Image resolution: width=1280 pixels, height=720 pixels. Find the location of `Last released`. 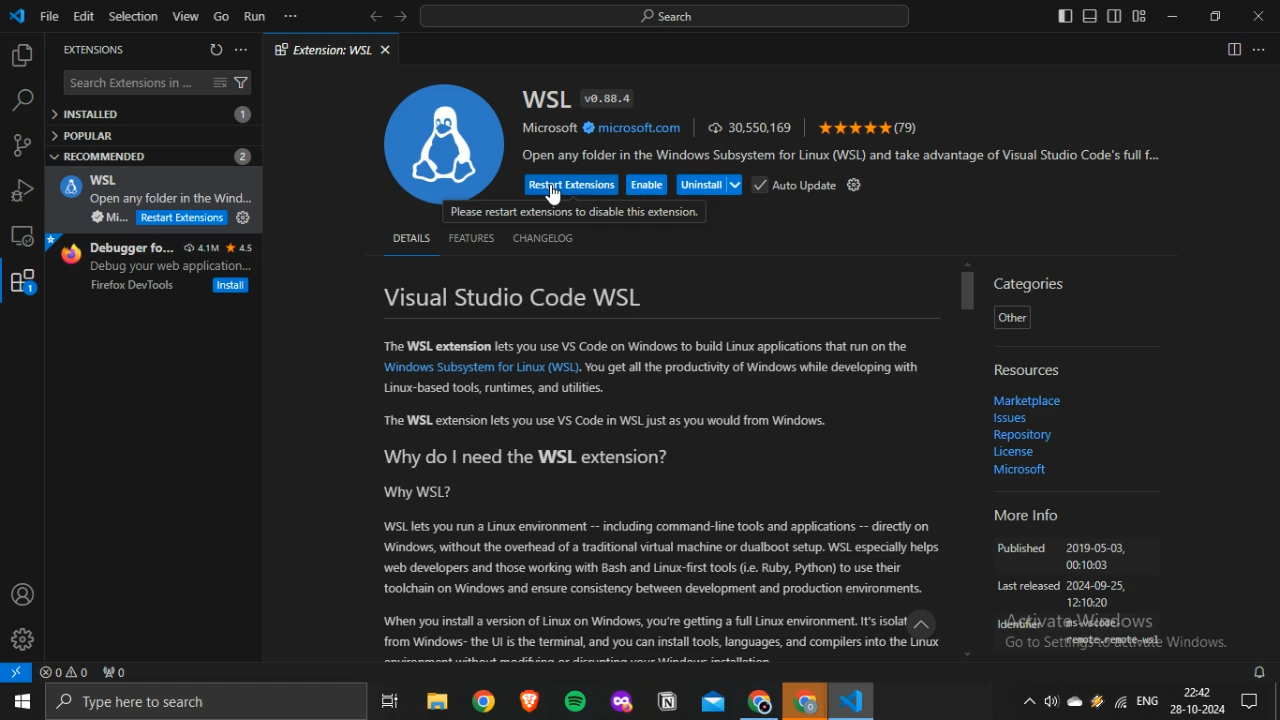

Last released is located at coordinates (1027, 587).